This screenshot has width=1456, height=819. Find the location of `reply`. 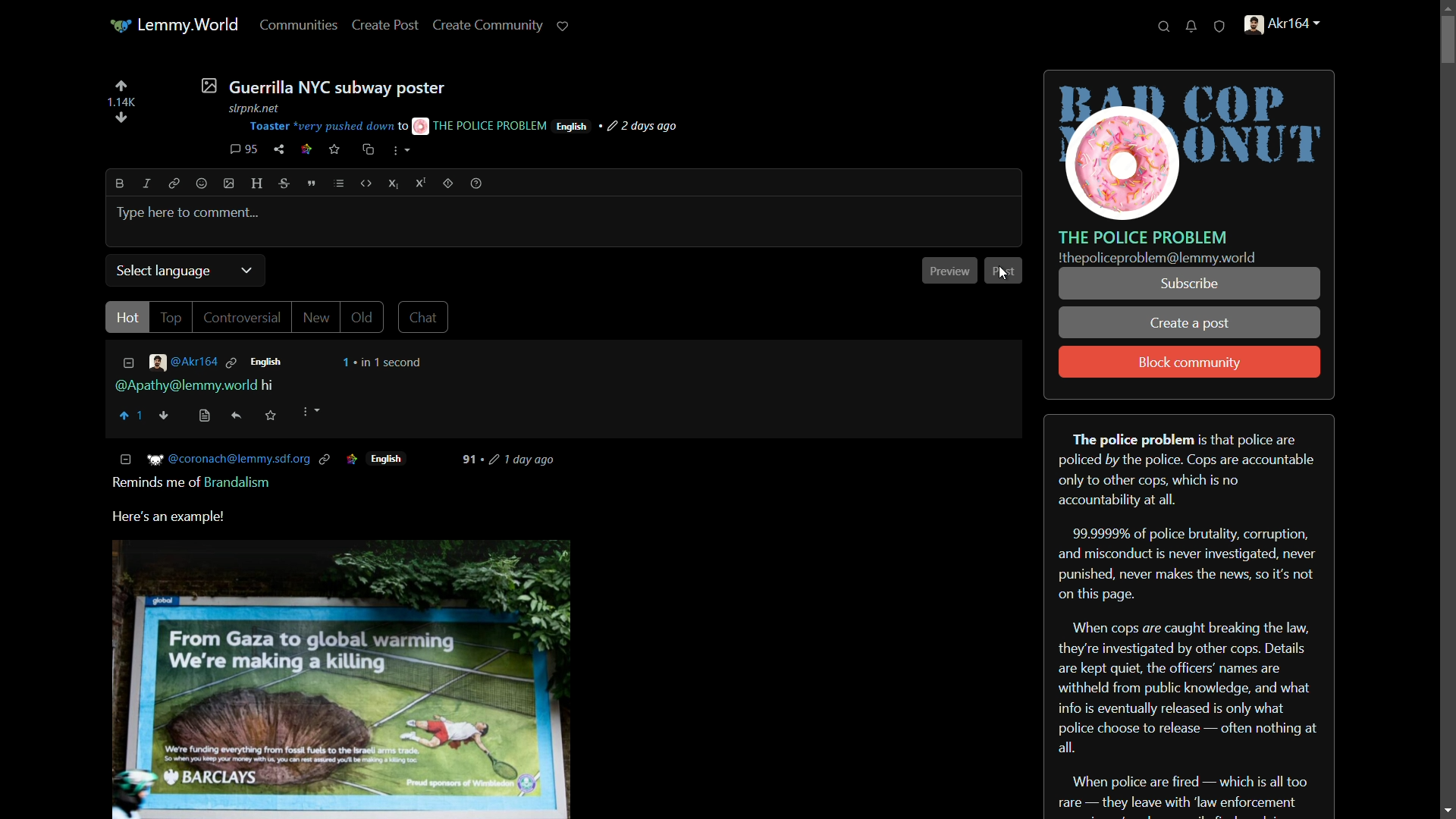

reply is located at coordinates (235, 416).